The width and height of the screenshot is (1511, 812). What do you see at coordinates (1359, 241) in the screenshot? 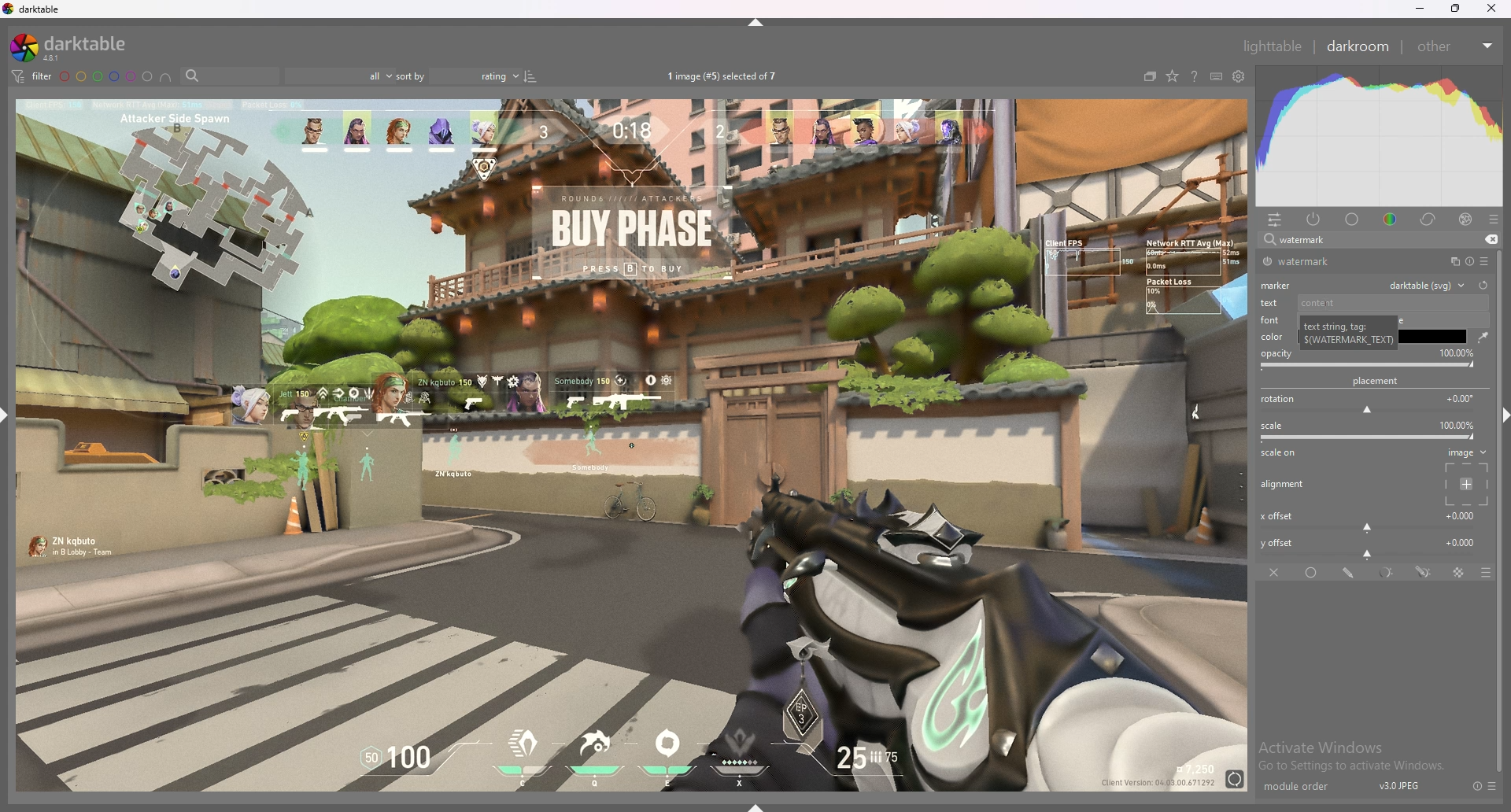
I see `search module` at bounding box center [1359, 241].